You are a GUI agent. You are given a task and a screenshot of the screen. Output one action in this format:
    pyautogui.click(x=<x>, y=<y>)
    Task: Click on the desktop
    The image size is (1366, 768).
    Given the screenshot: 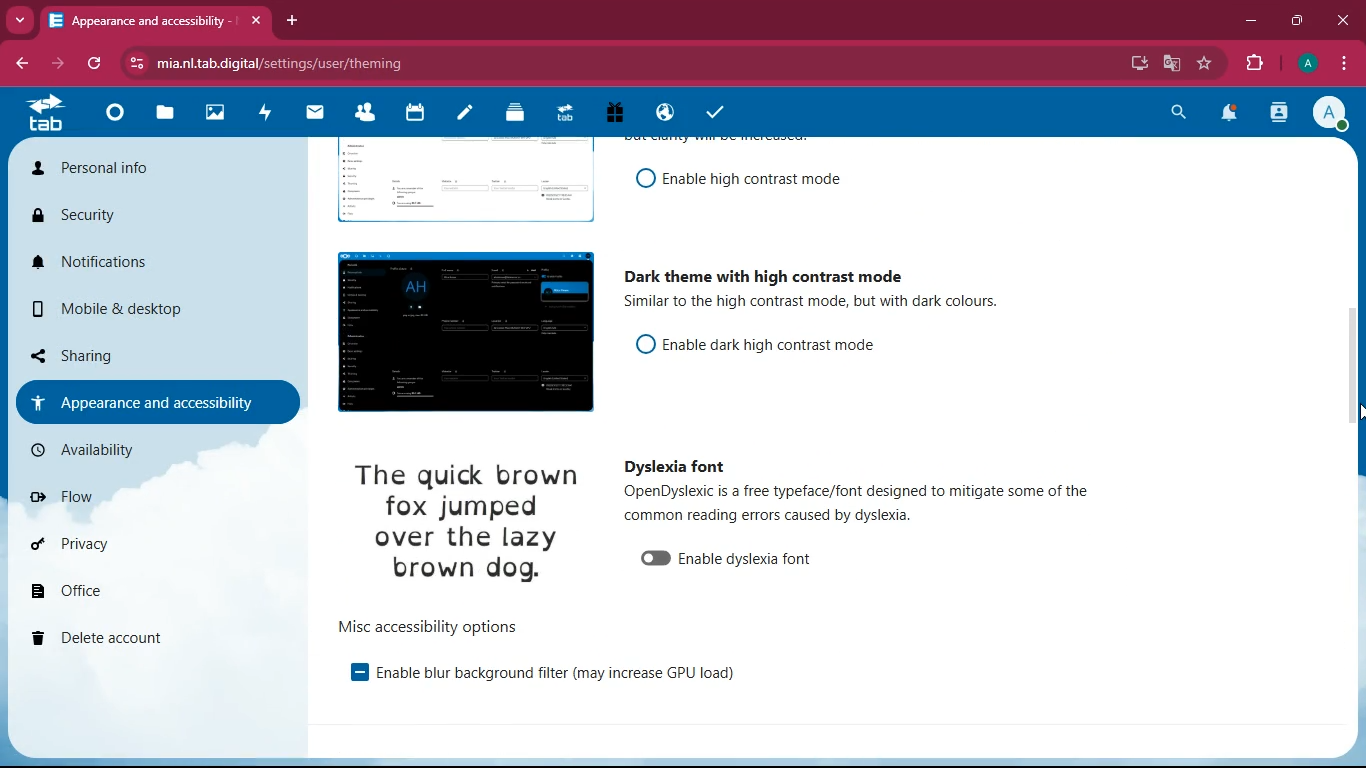 What is the action you would take?
    pyautogui.click(x=1135, y=65)
    